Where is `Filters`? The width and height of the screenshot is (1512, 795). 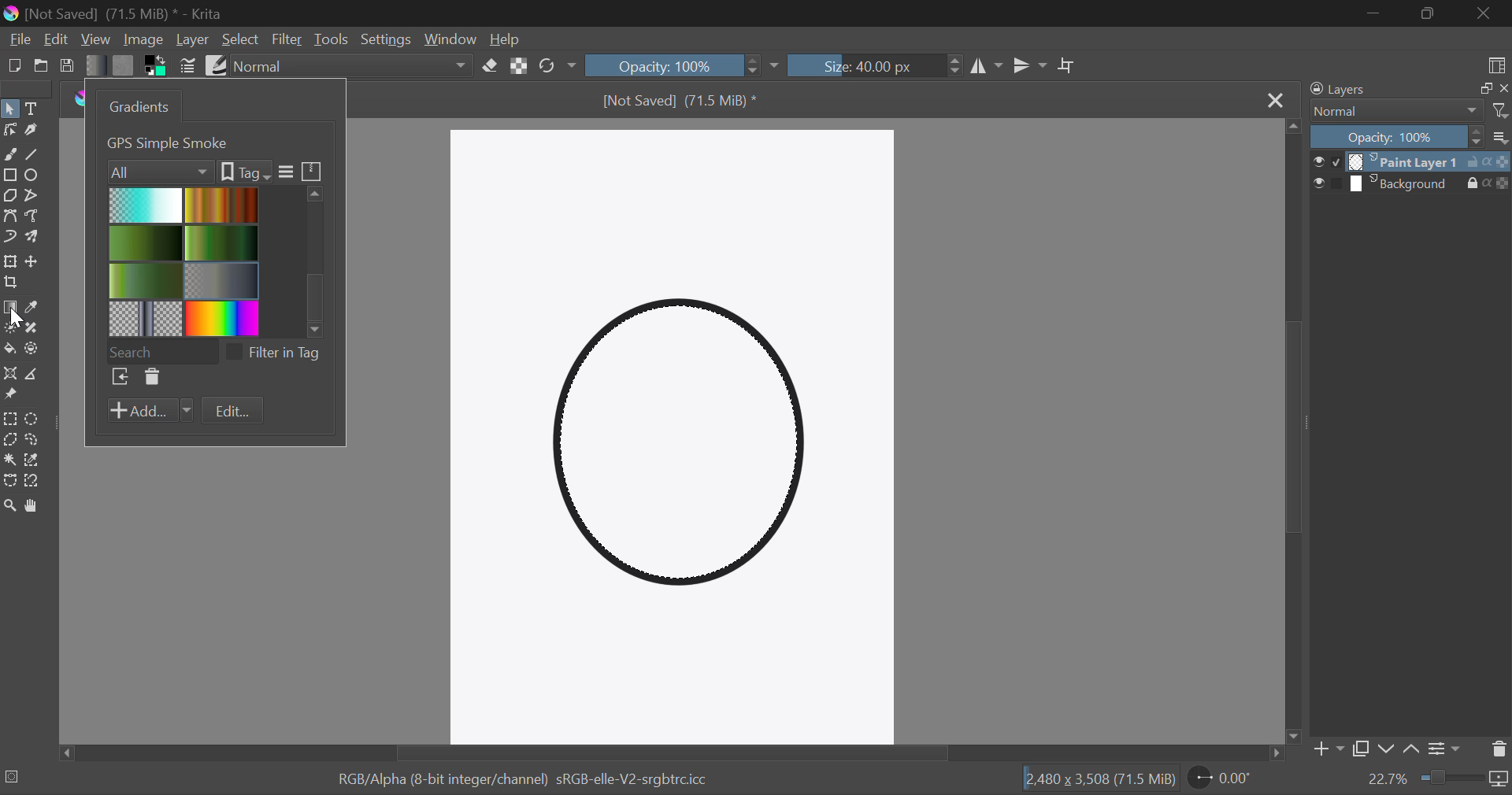
Filters is located at coordinates (156, 172).